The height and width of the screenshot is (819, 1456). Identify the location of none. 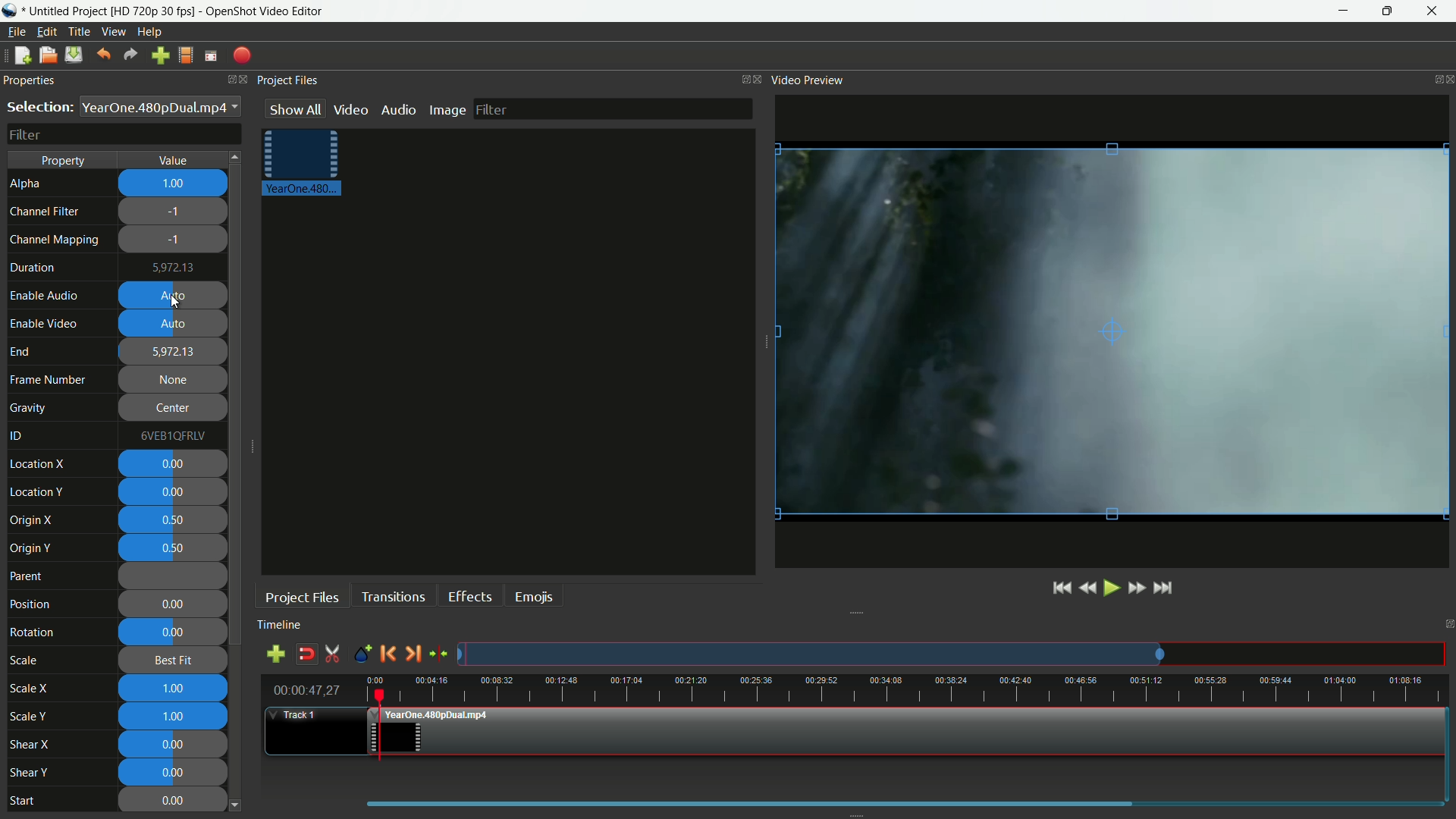
(174, 381).